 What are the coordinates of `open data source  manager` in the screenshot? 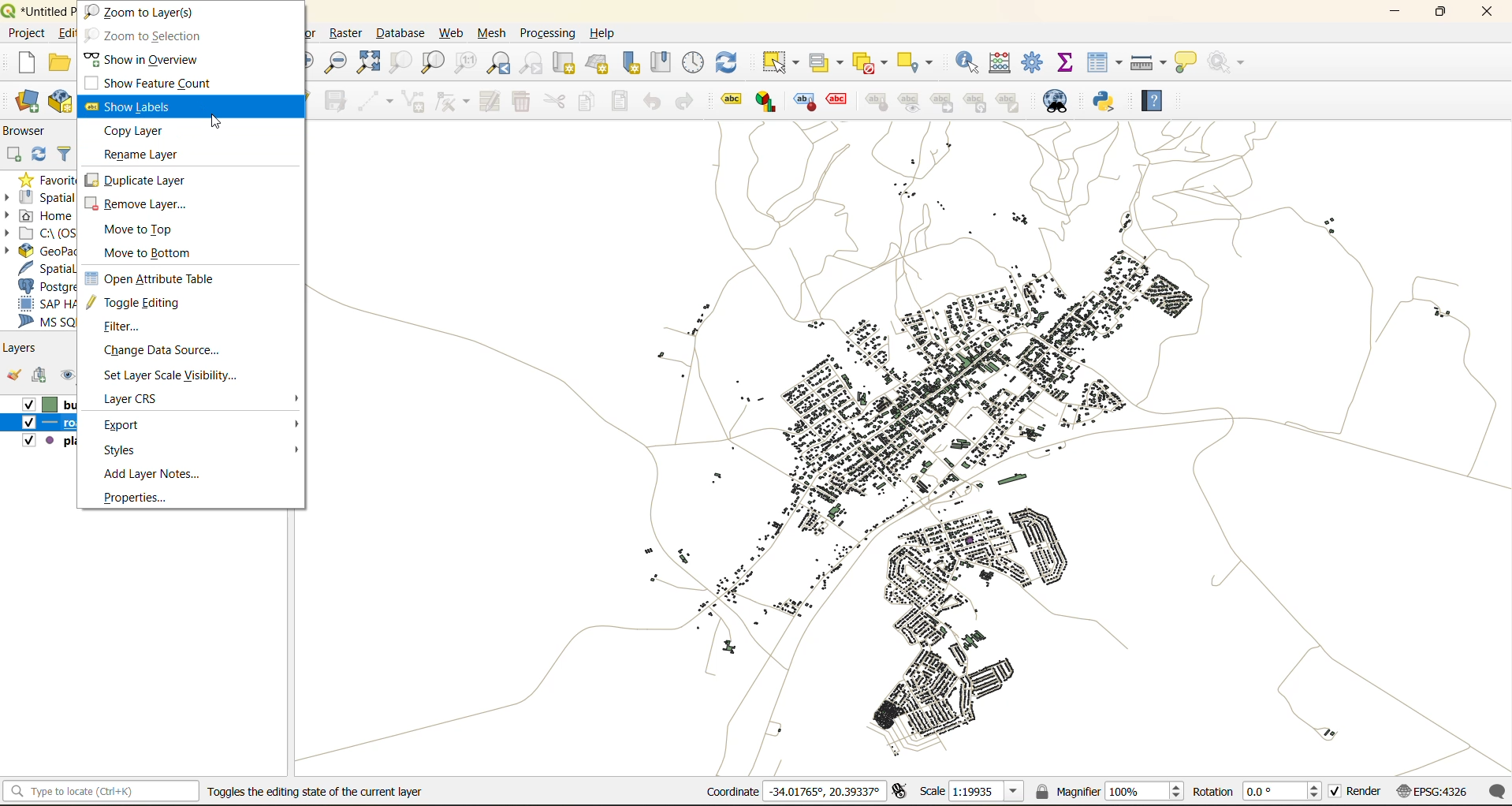 It's located at (22, 101).